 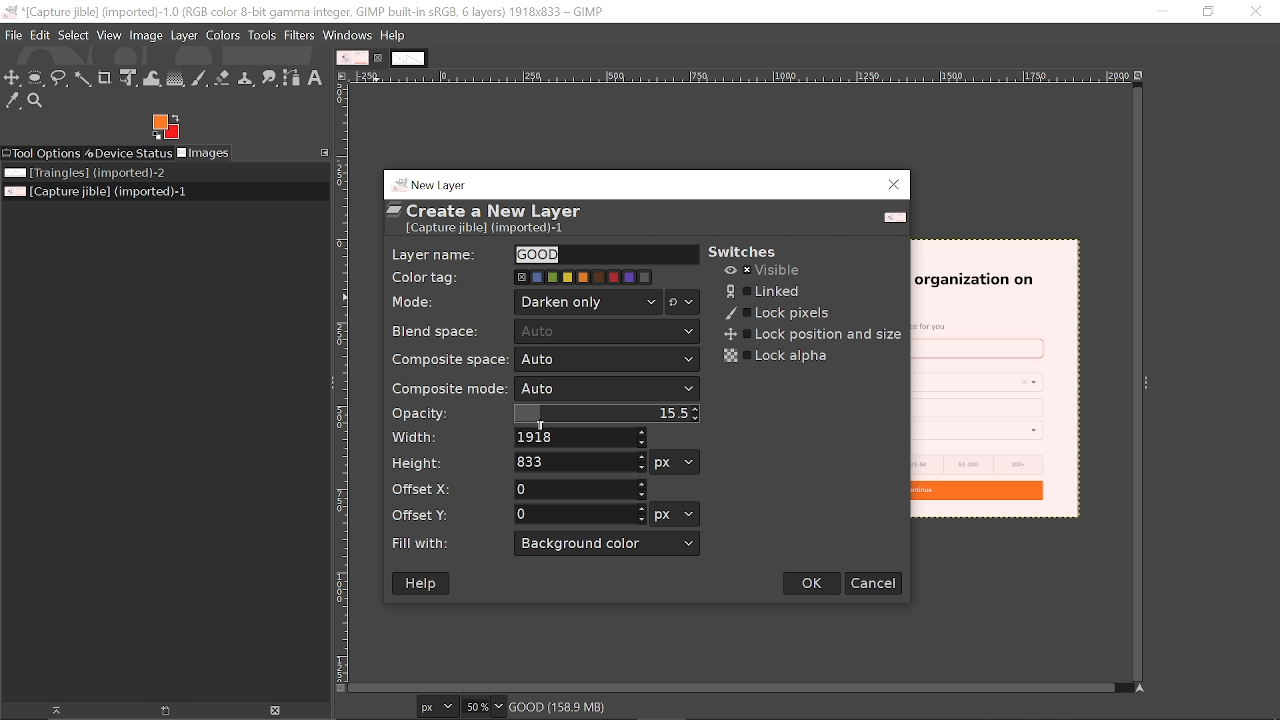 What do you see at coordinates (579, 488) in the screenshot?
I see `offset X` at bounding box center [579, 488].